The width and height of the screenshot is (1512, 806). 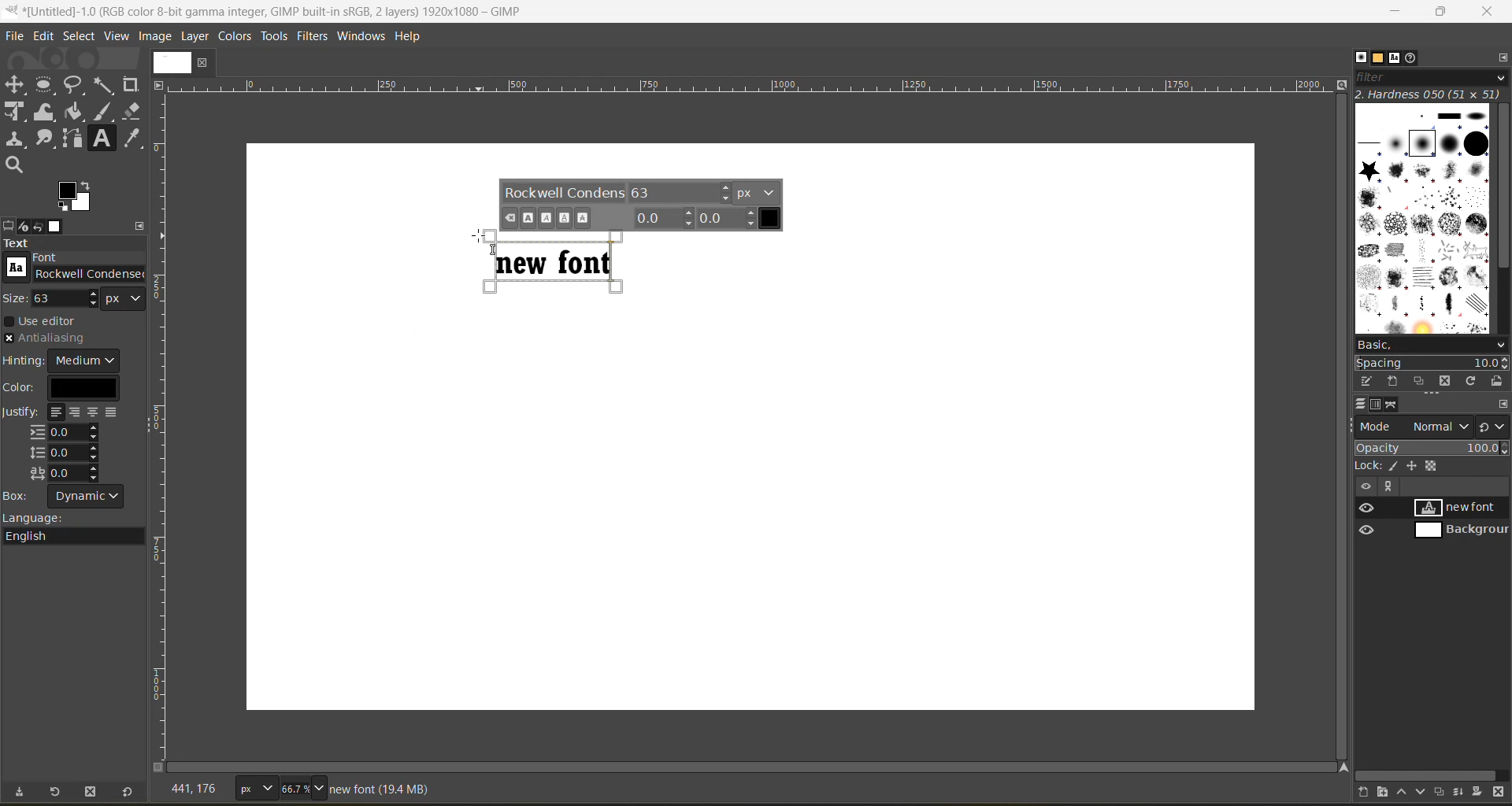 I want to click on paths, so click(x=1392, y=404).